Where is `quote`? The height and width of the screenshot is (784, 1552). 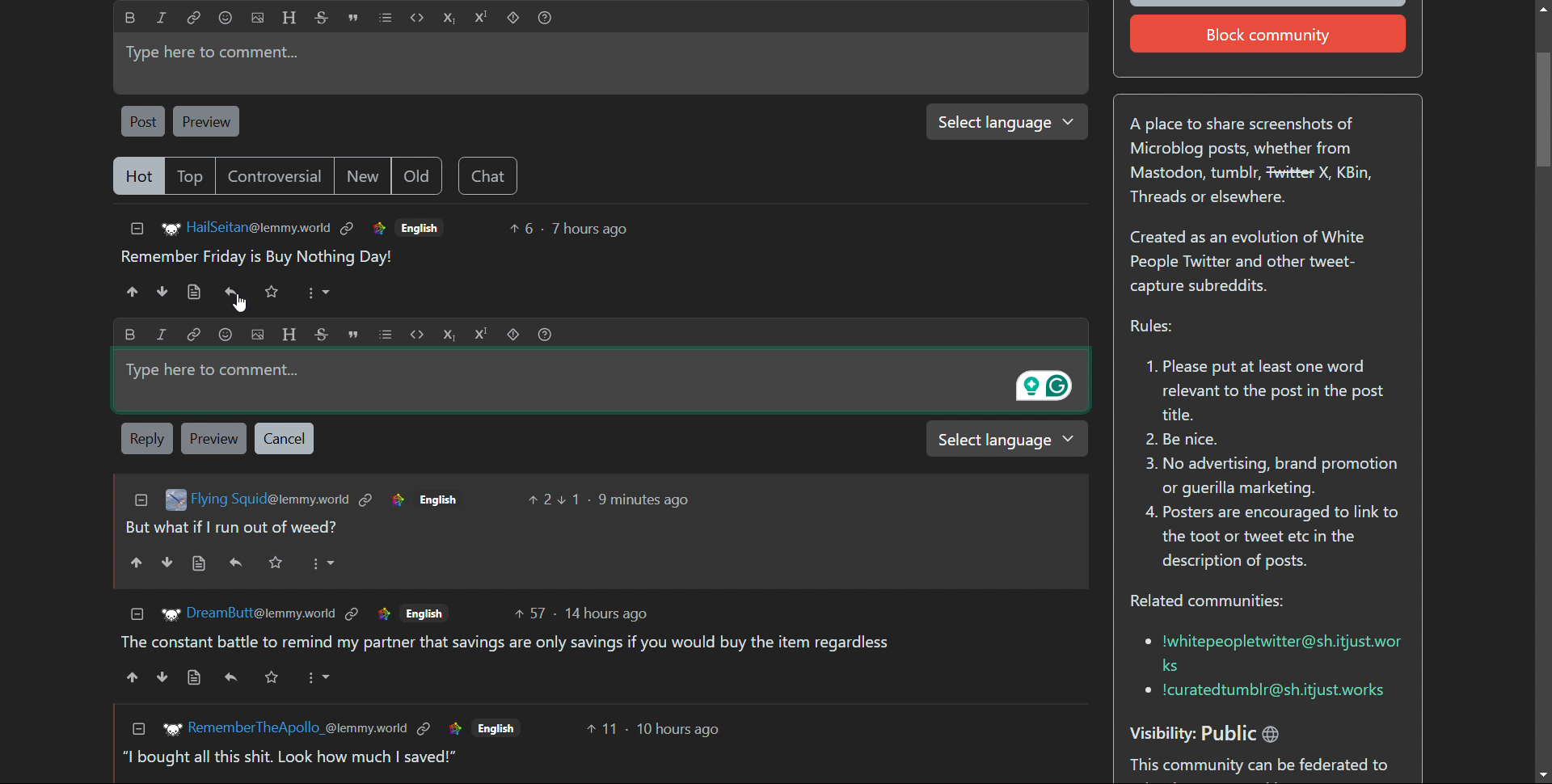
quote is located at coordinates (352, 18).